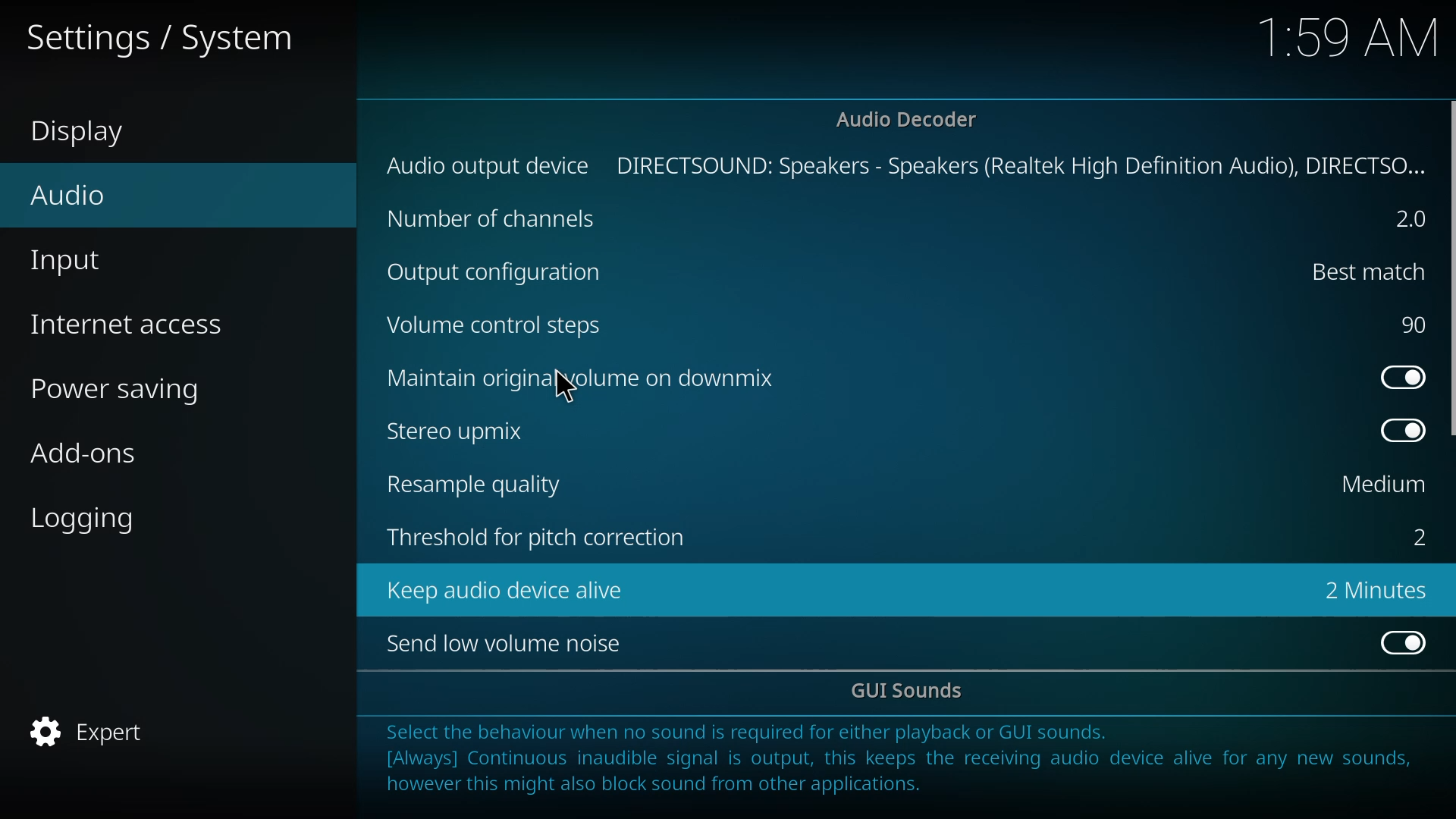  What do you see at coordinates (1398, 641) in the screenshot?
I see `enabled` at bounding box center [1398, 641].